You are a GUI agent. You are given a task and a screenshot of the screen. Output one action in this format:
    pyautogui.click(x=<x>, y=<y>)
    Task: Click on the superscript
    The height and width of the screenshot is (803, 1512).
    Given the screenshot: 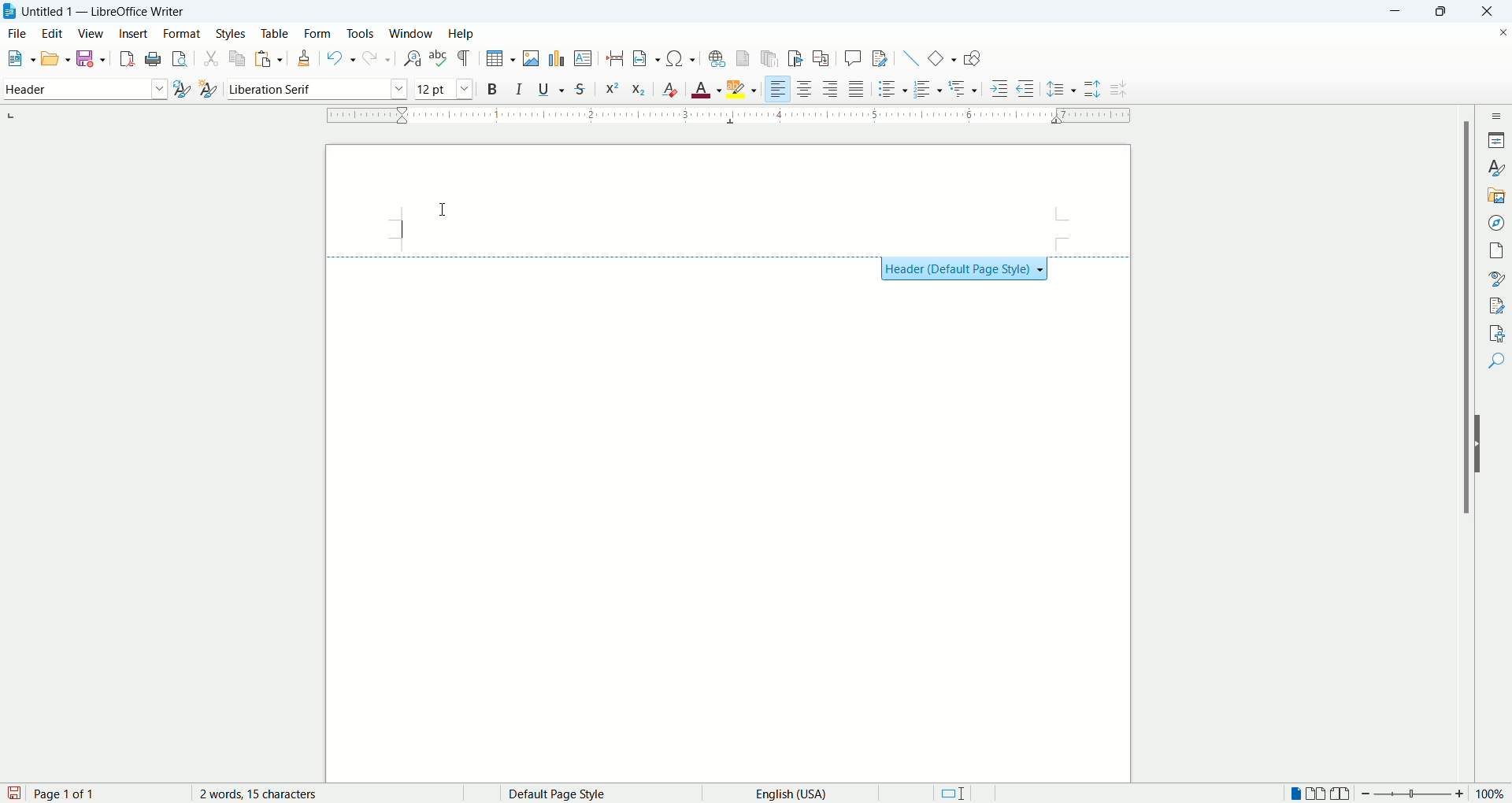 What is the action you would take?
    pyautogui.click(x=613, y=90)
    